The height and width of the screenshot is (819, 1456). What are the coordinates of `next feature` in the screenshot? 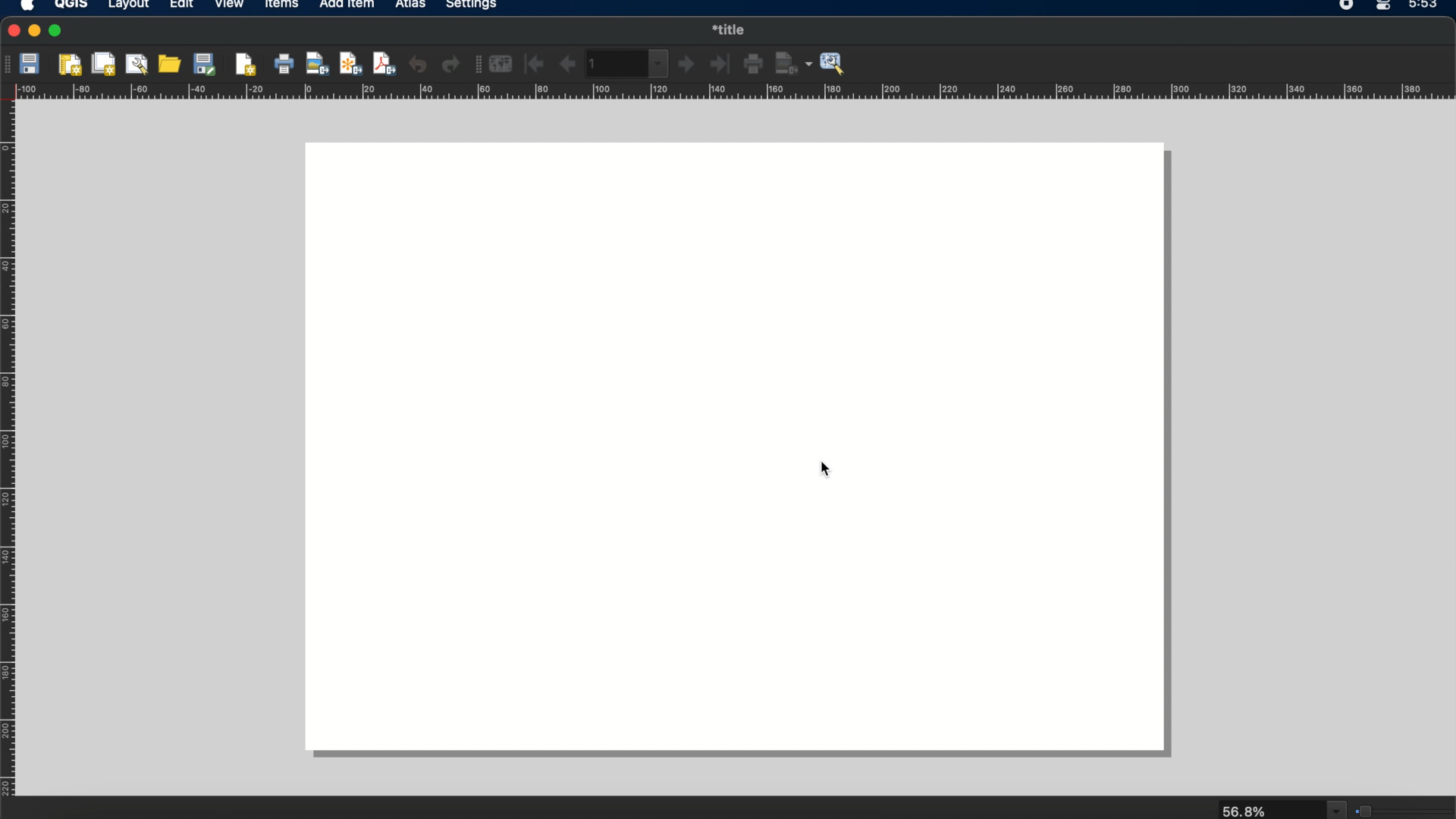 It's located at (688, 64).